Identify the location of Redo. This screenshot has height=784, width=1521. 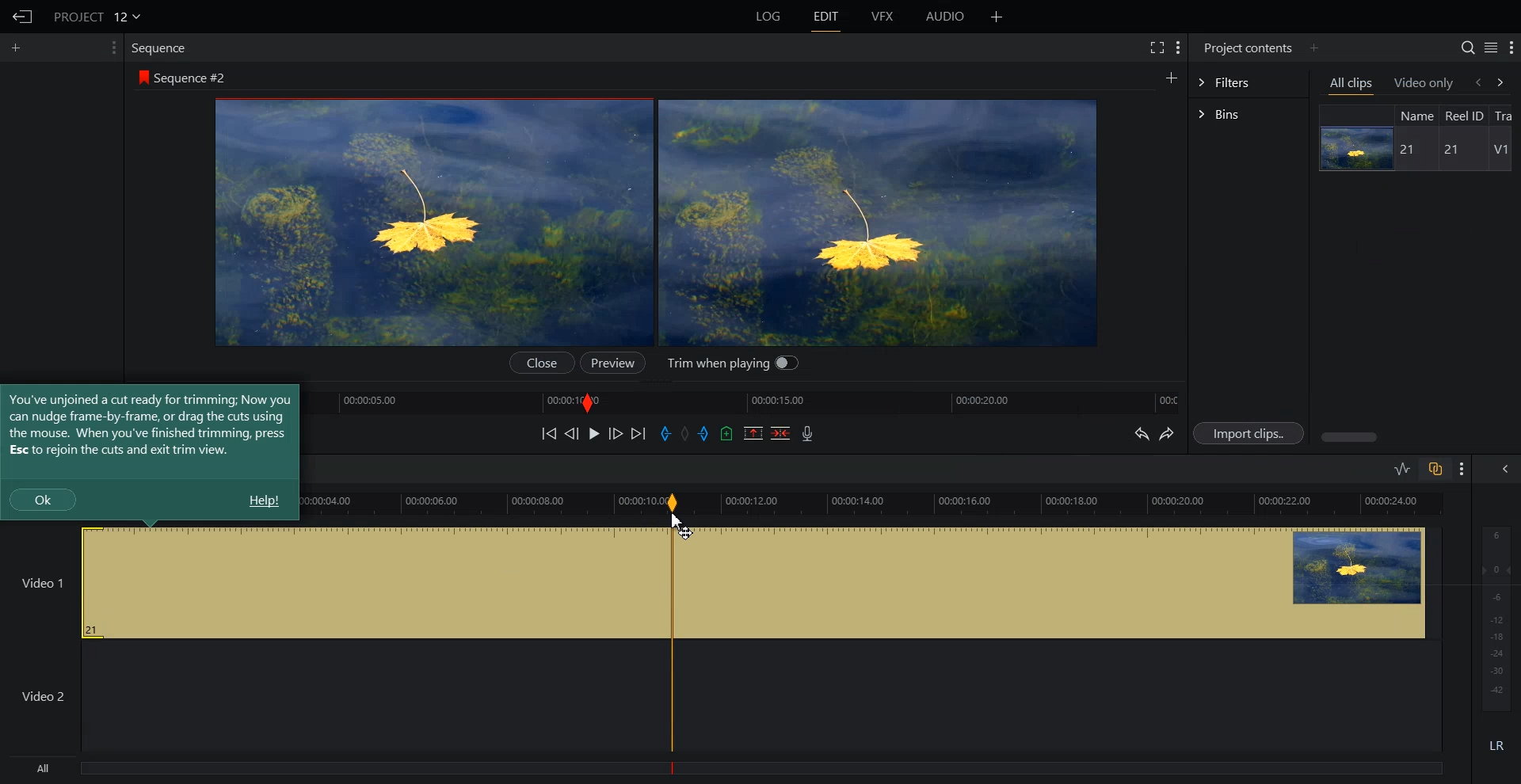
(1167, 433).